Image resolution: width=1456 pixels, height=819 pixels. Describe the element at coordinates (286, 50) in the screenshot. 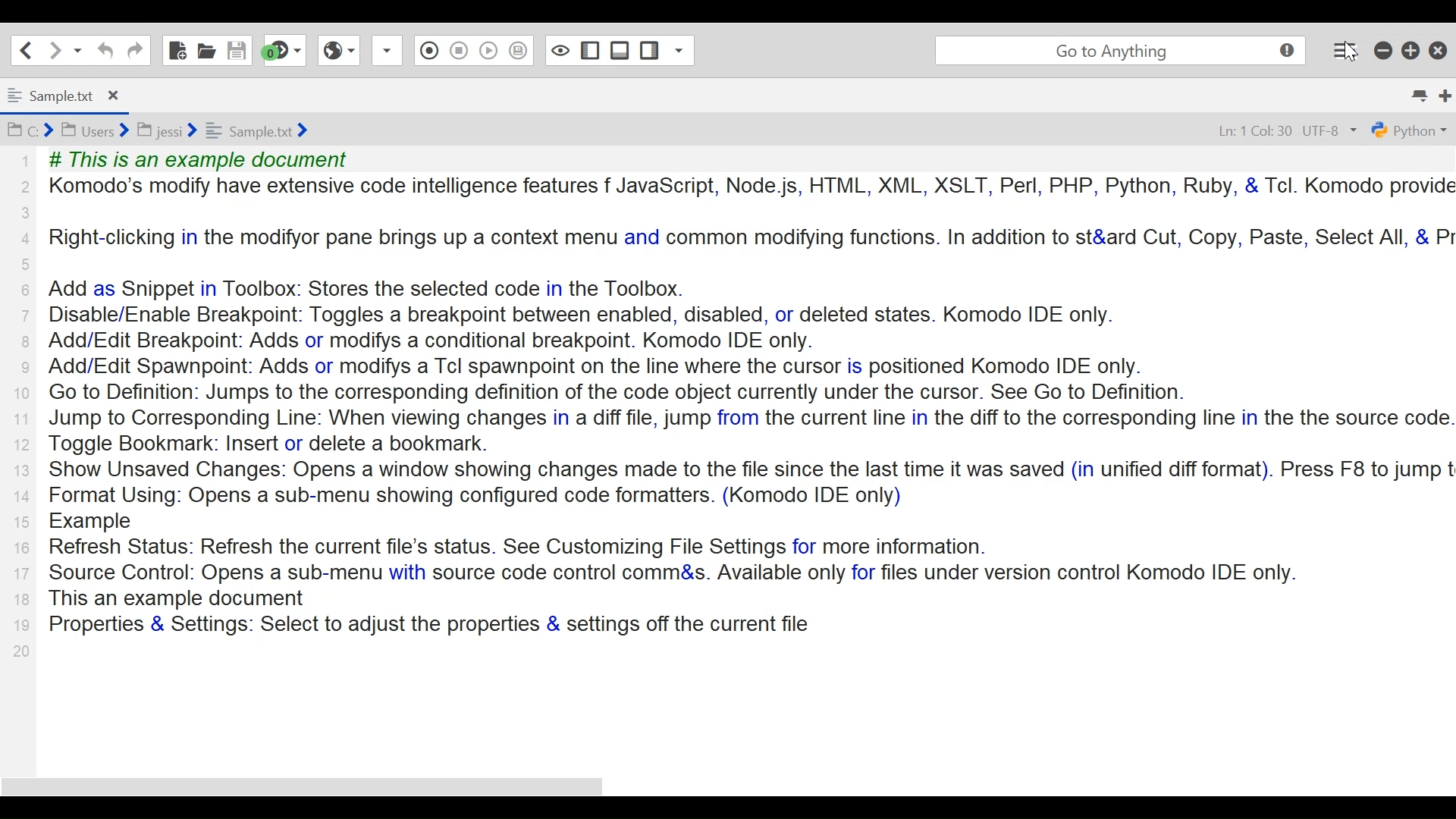

I see `Jump to the next syntax checking result` at that location.